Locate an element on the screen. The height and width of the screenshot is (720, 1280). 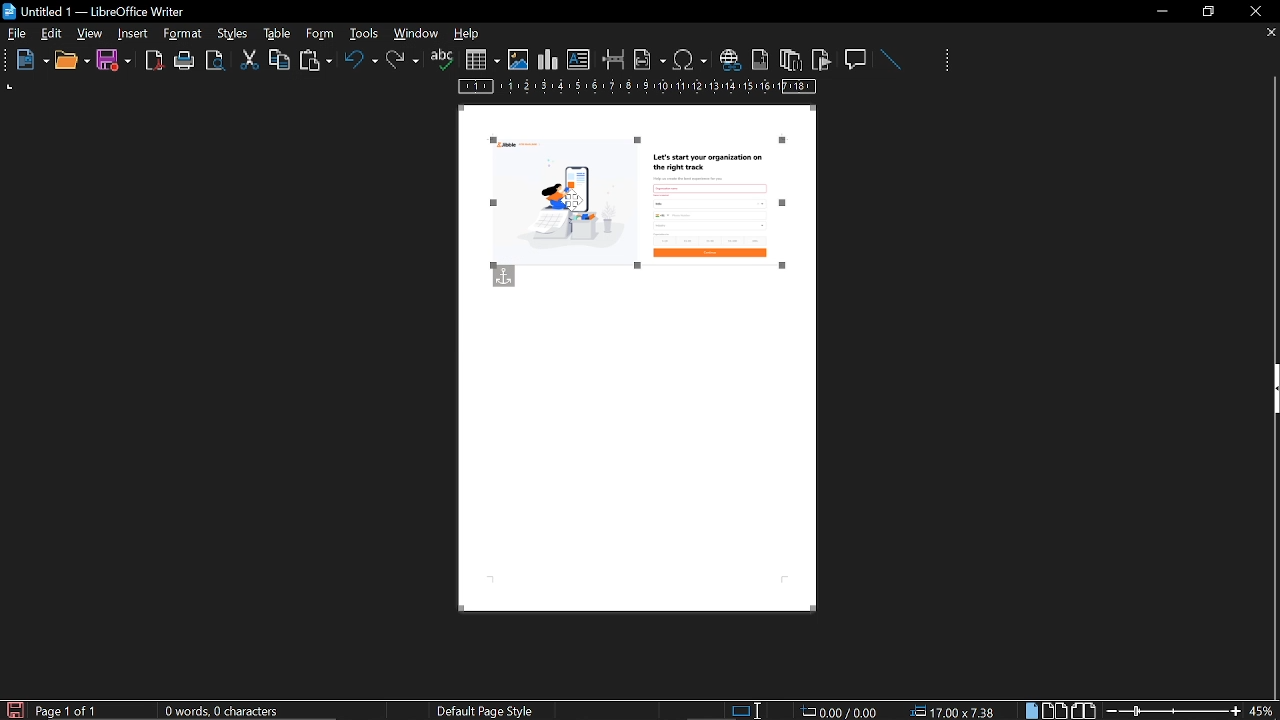
edit is located at coordinates (52, 35).